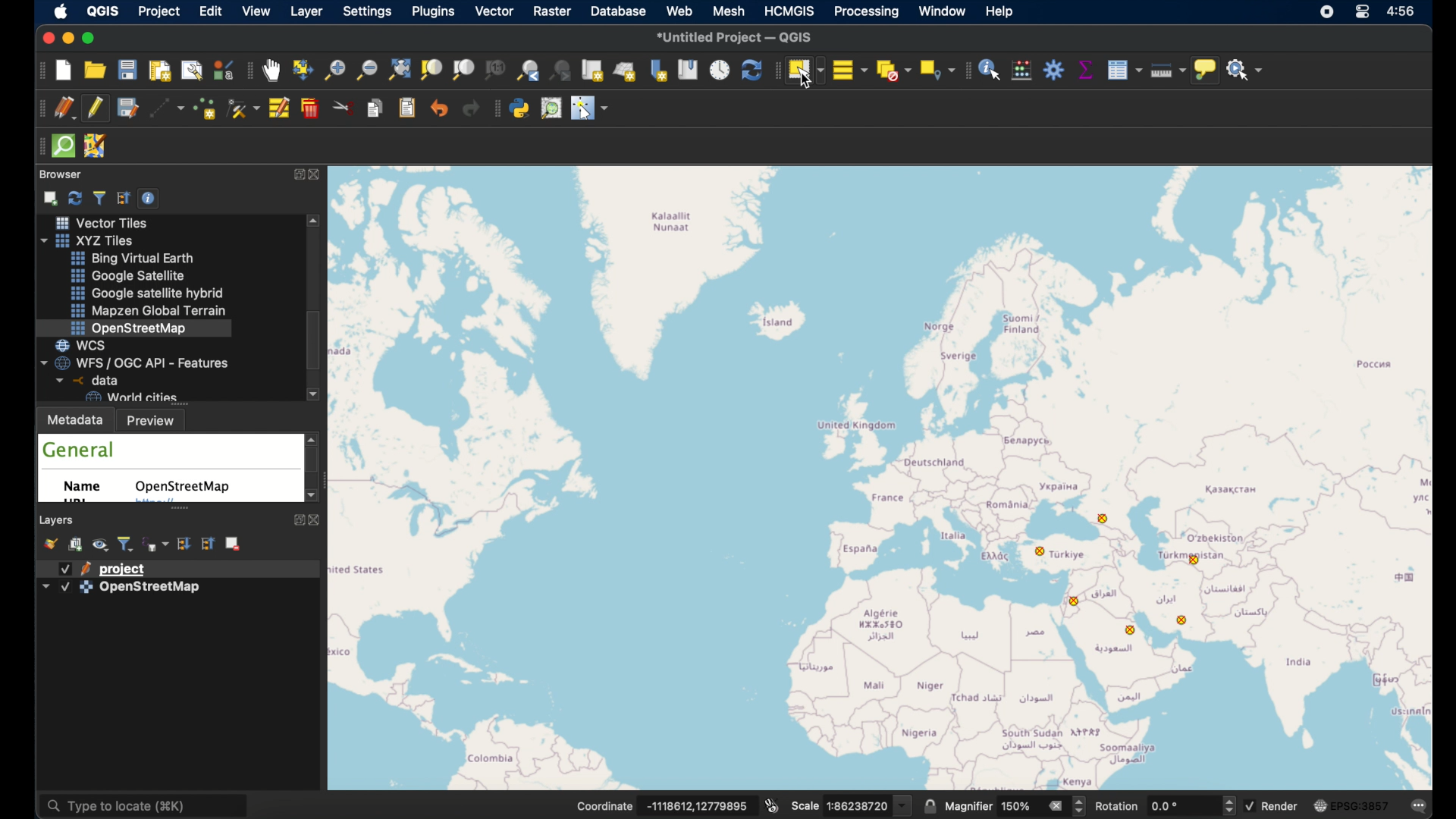 The width and height of the screenshot is (1456, 819). I want to click on wcs, so click(88, 344).